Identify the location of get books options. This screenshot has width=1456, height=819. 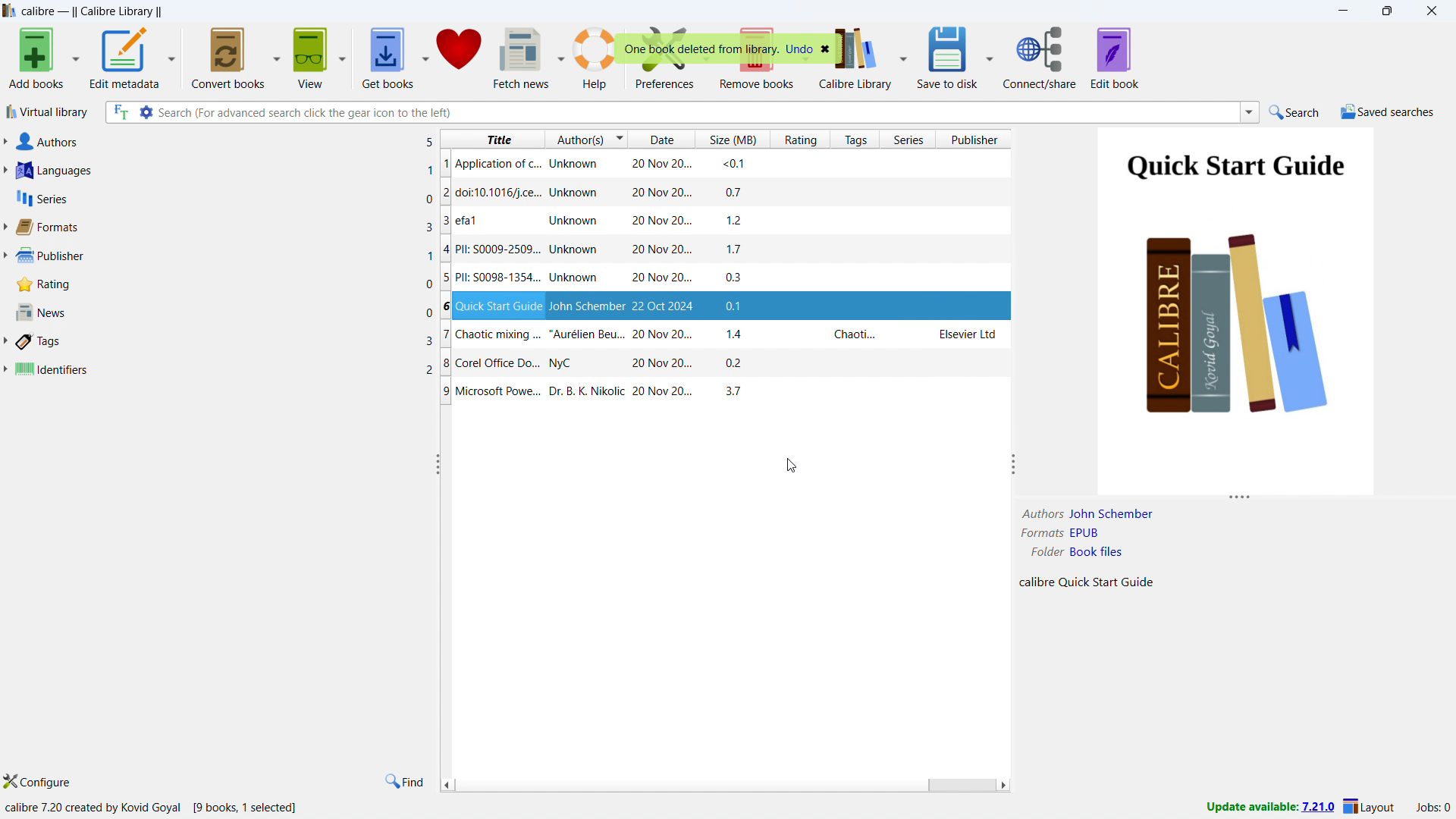
(424, 56).